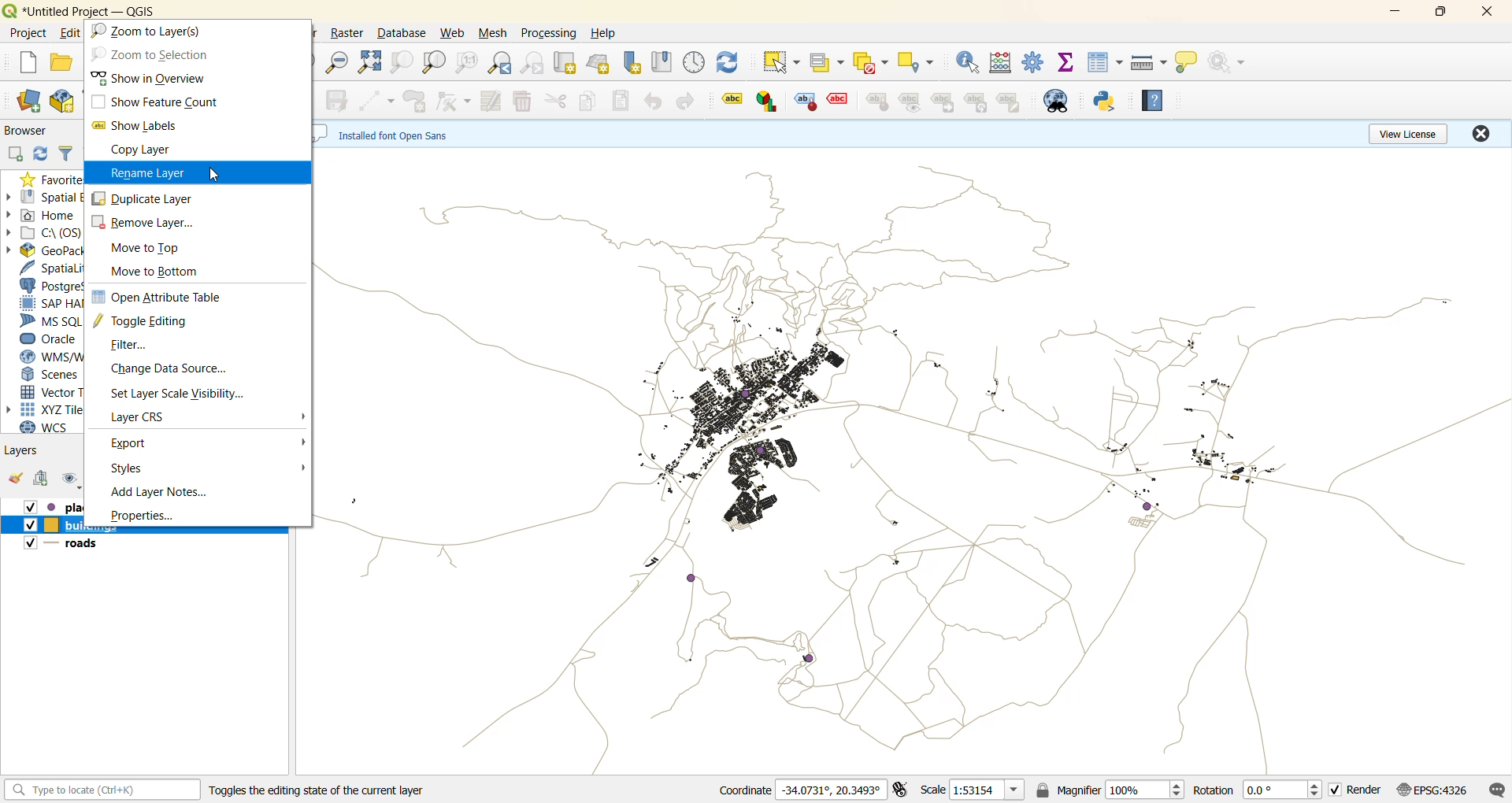  What do you see at coordinates (1104, 62) in the screenshot?
I see `attributes table` at bounding box center [1104, 62].